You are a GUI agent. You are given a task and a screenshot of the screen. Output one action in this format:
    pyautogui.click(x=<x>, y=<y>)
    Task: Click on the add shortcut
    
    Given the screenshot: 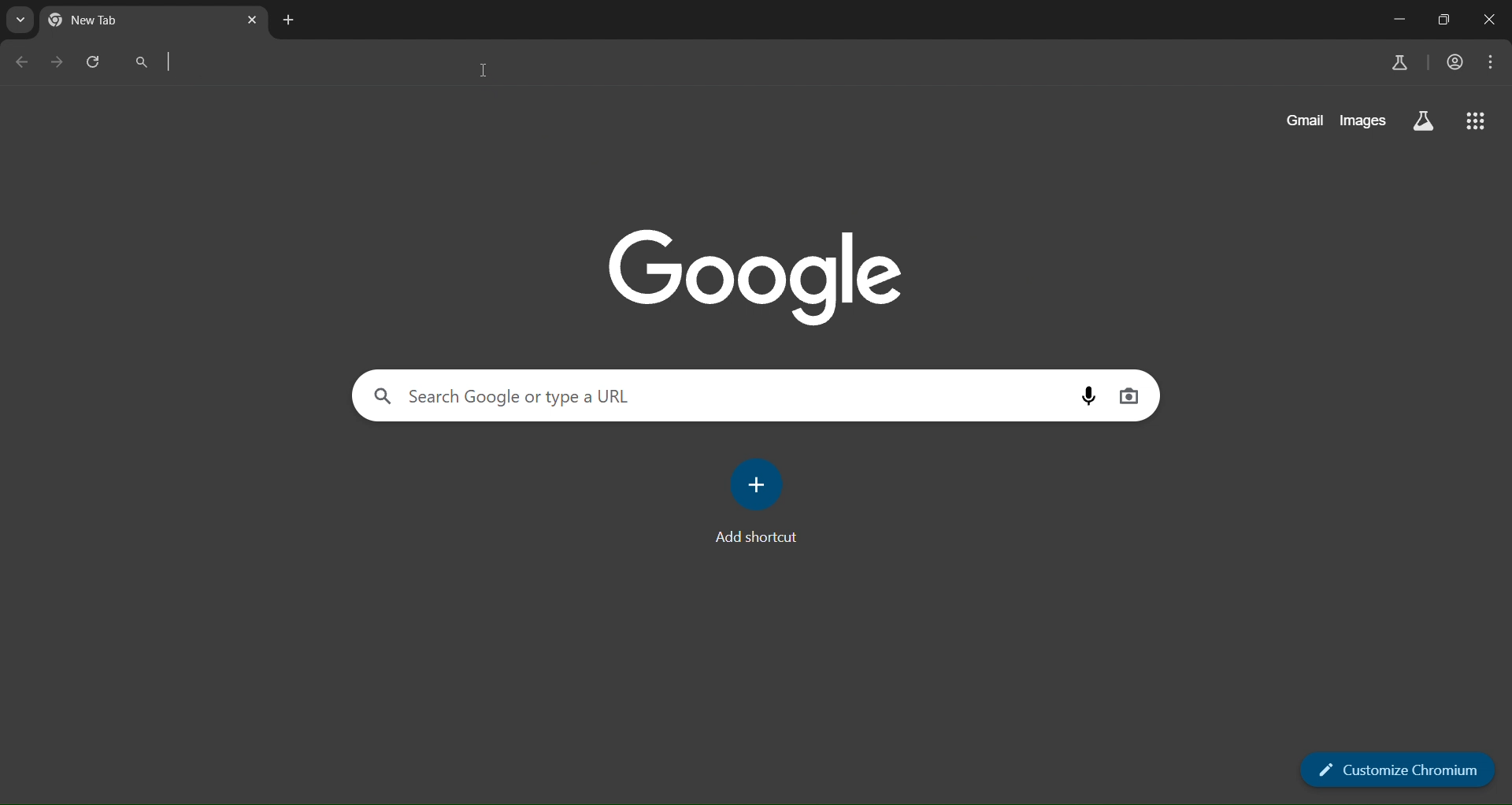 What is the action you would take?
    pyautogui.click(x=760, y=502)
    